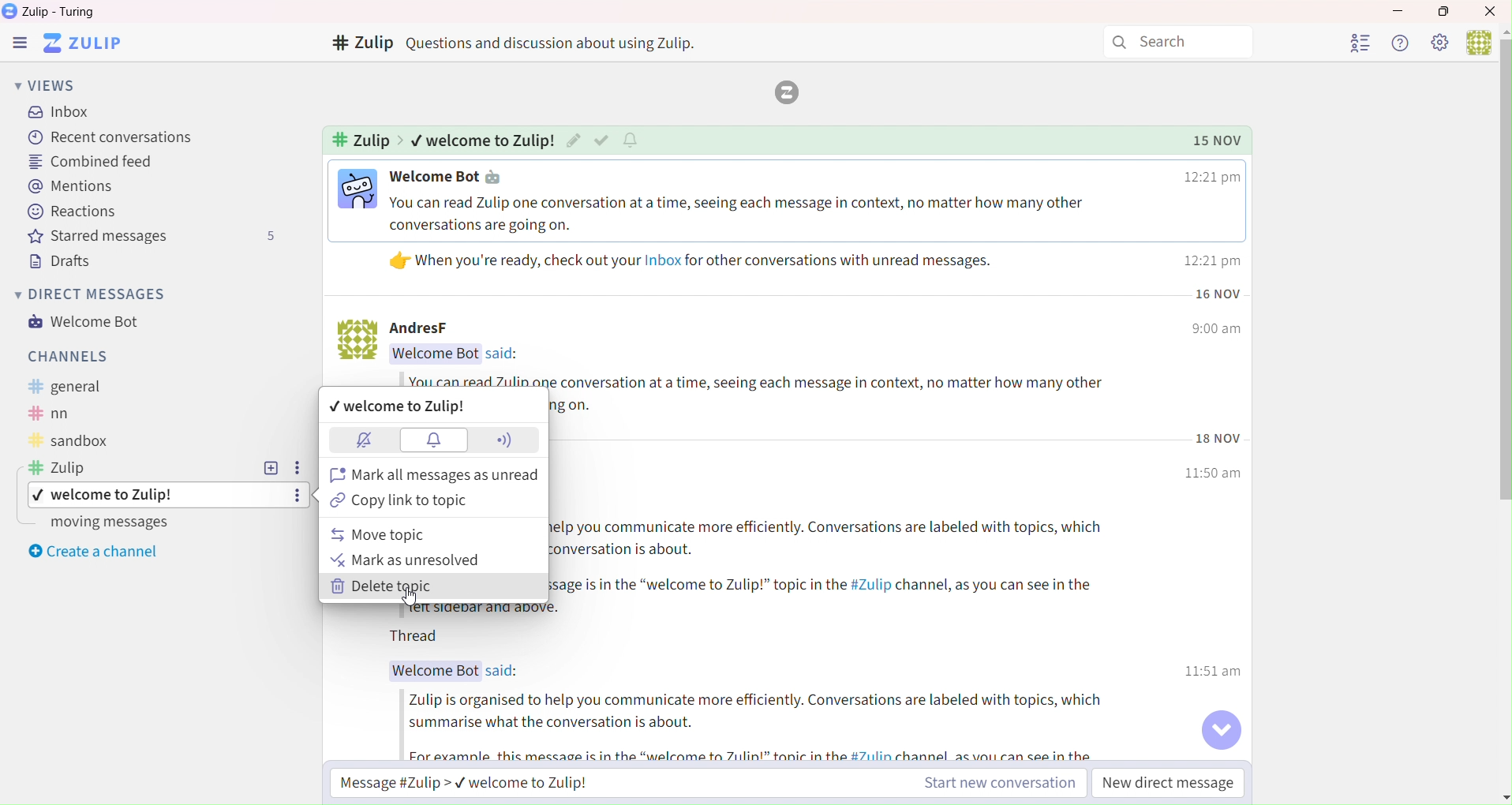 Image resolution: width=1512 pixels, height=805 pixels. Describe the element at coordinates (436, 354) in the screenshot. I see `Text` at that location.